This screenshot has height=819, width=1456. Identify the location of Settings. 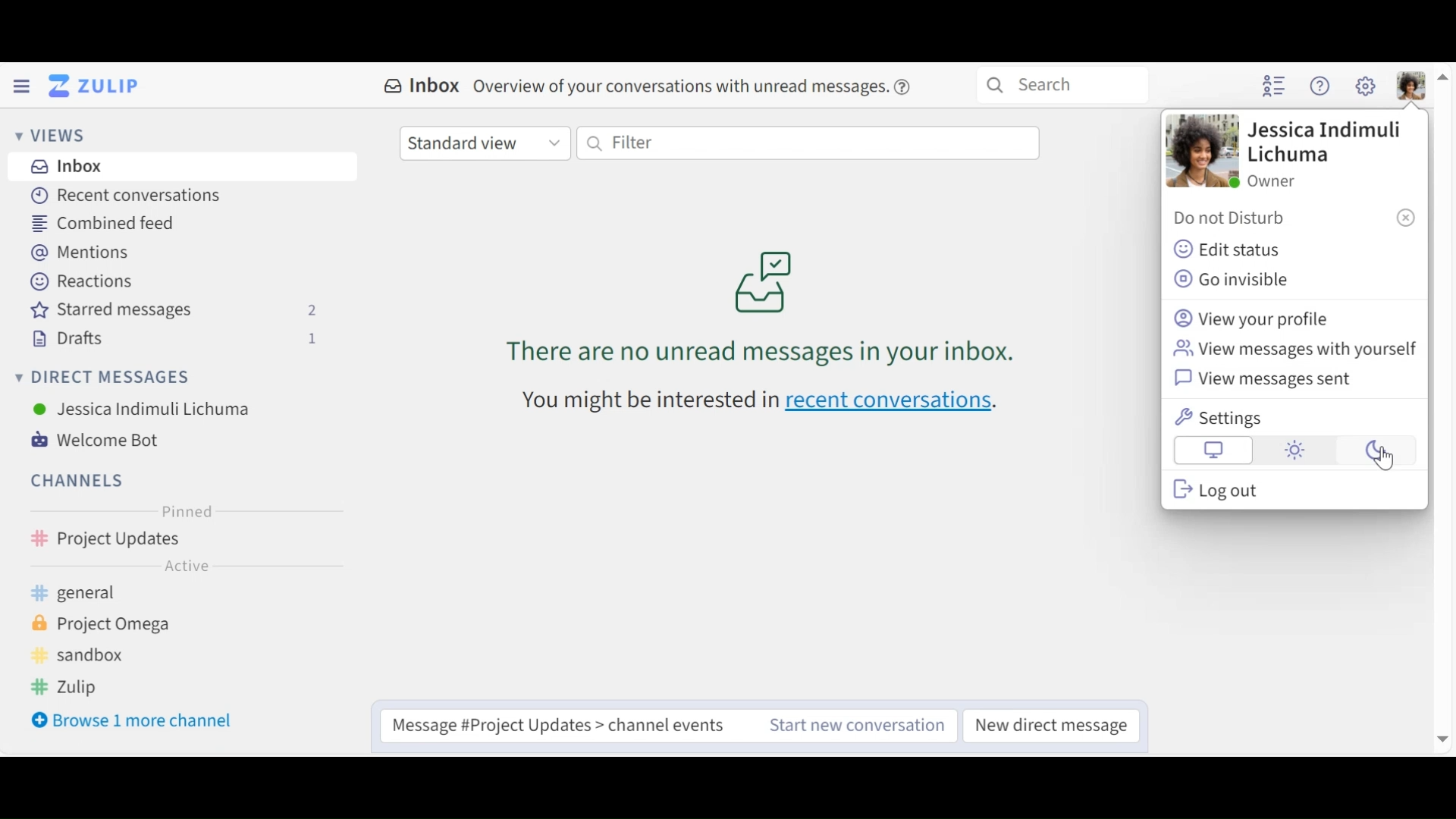
(1222, 418).